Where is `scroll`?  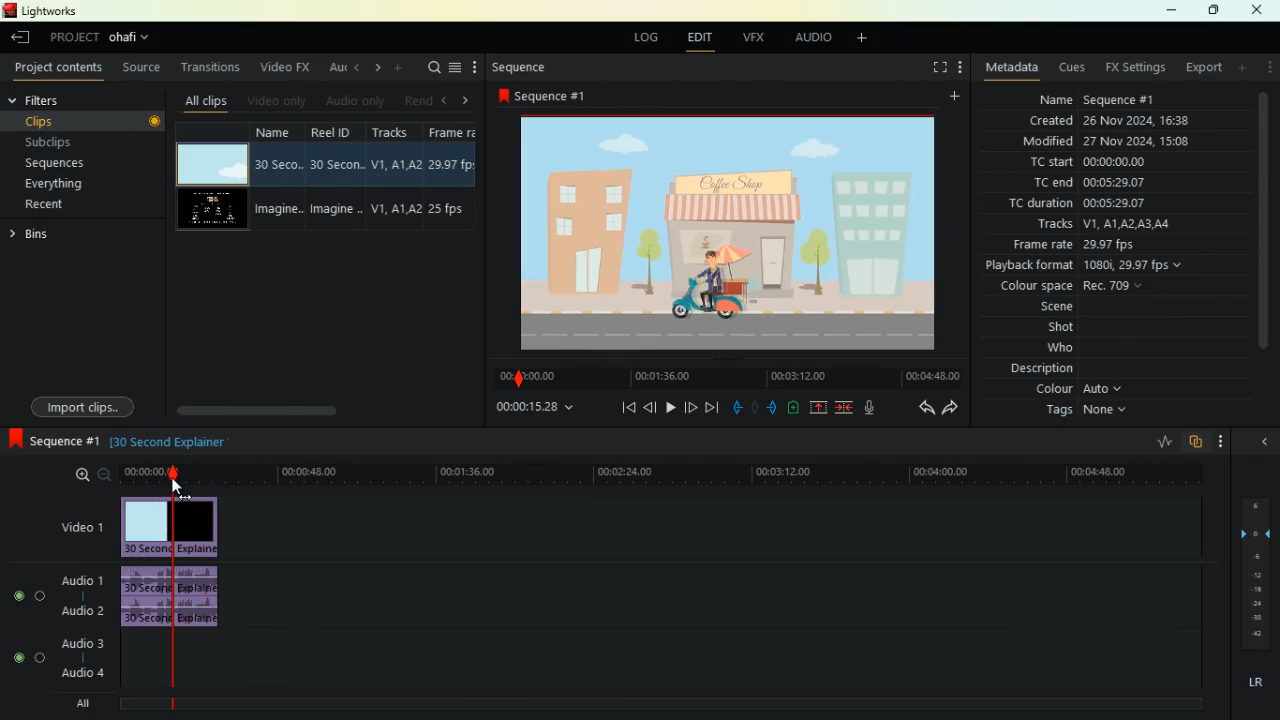 scroll is located at coordinates (1258, 221).